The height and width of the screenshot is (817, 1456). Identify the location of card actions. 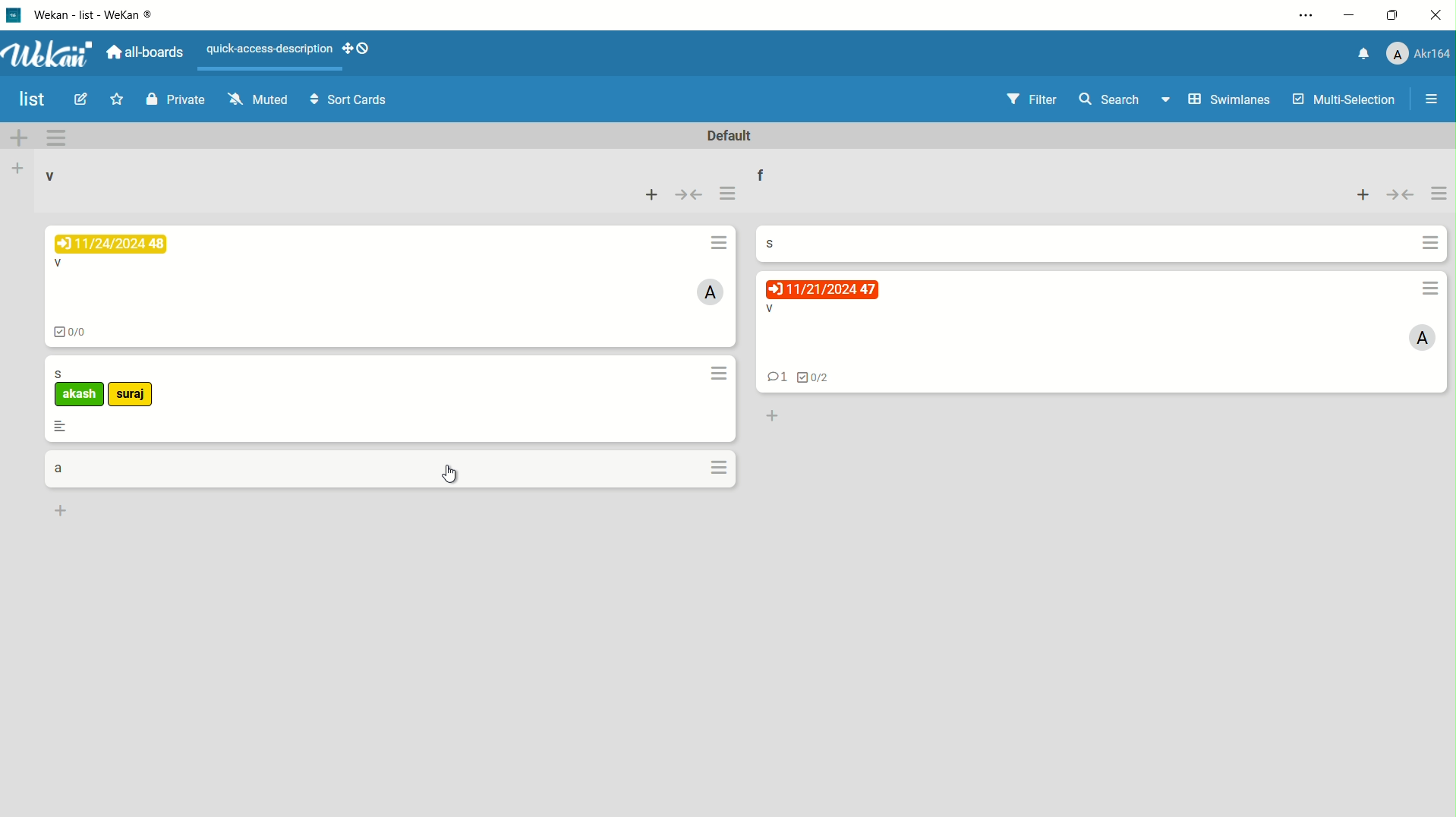
(1432, 290).